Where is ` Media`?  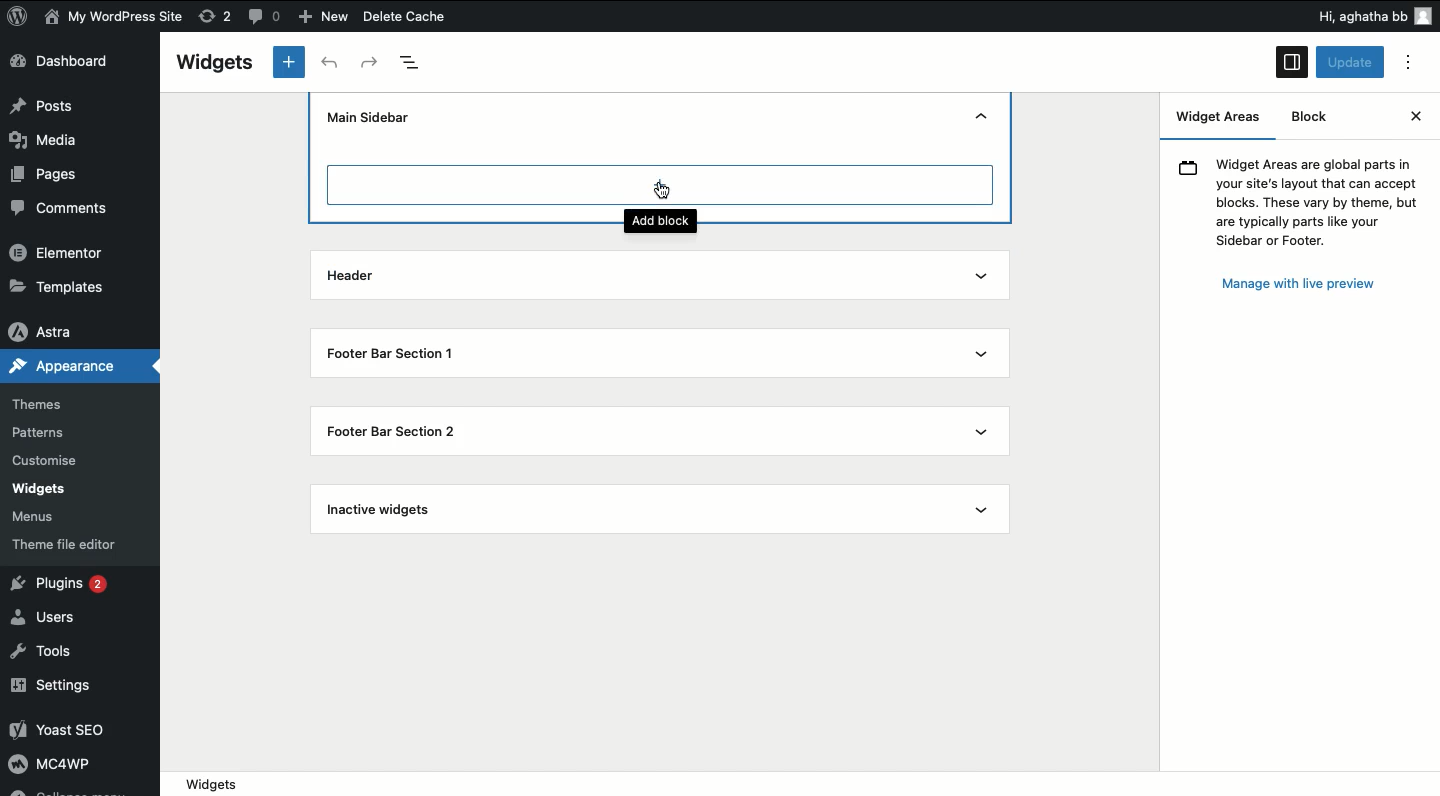  Media is located at coordinates (55, 139).